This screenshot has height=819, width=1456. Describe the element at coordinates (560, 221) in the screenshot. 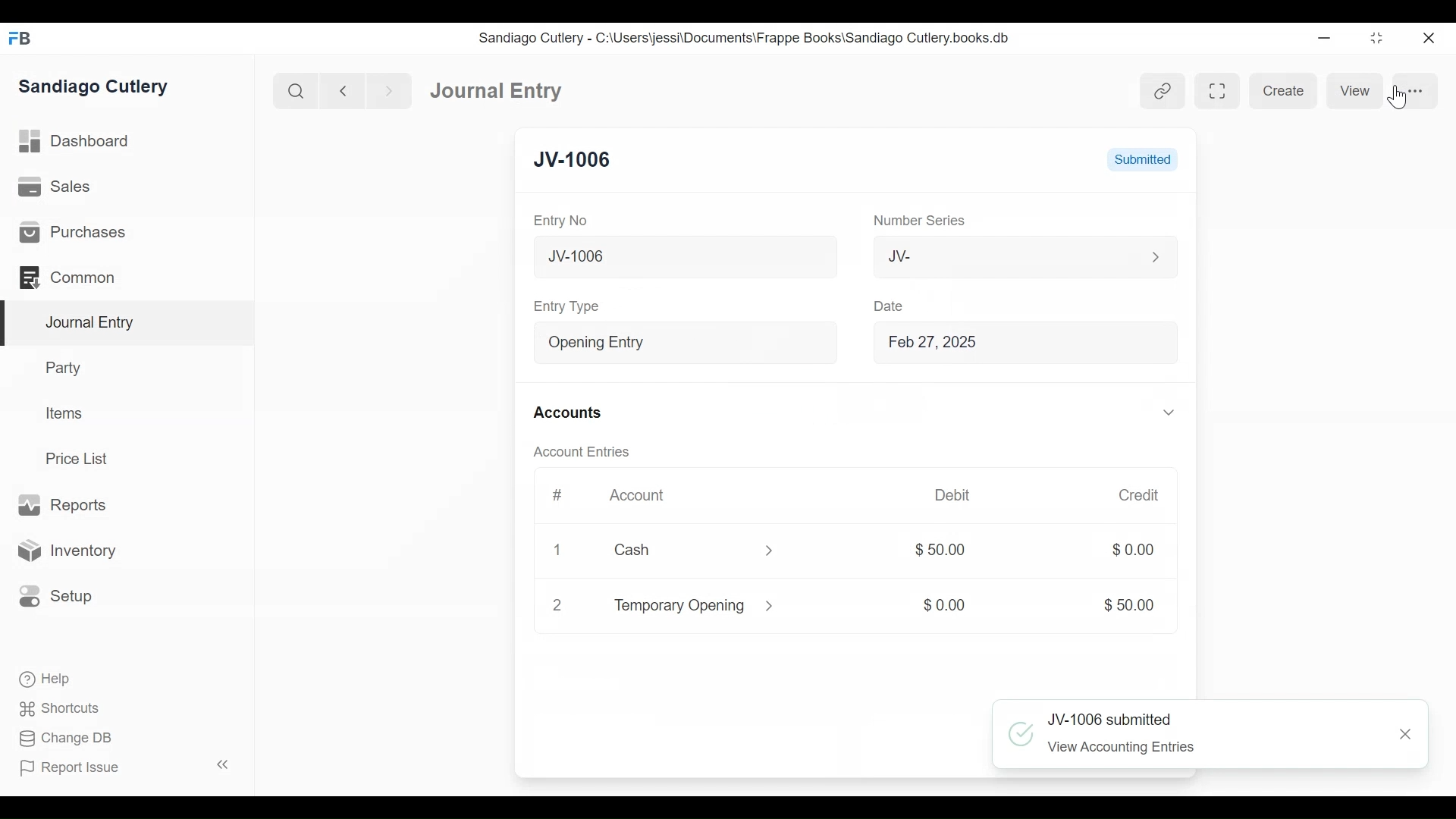

I see `Entry No` at that location.